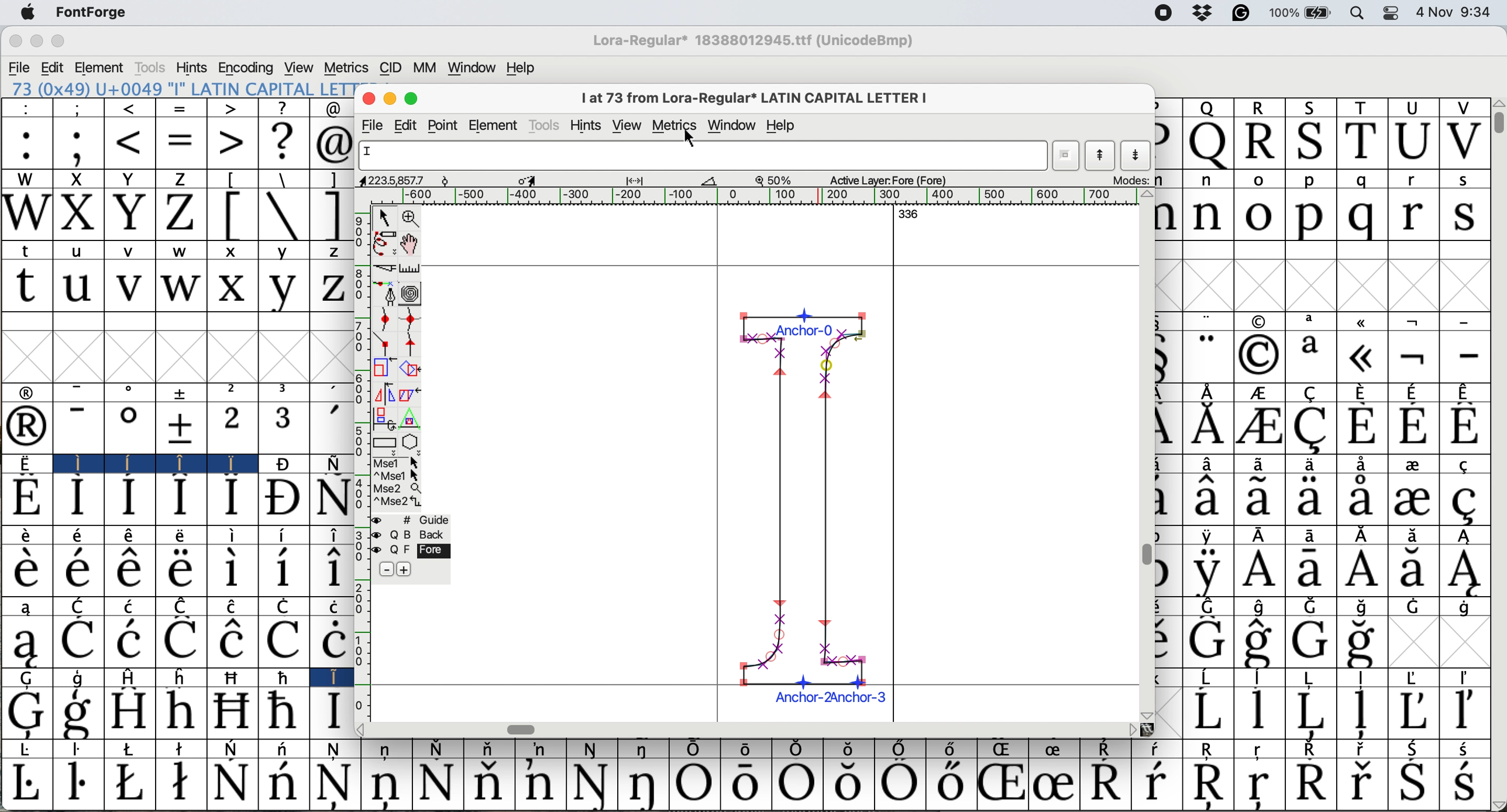 This screenshot has height=812, width=1507. Describe the element at coordinates (26, 534) in the screenshot. I see `Symbol` at that location.